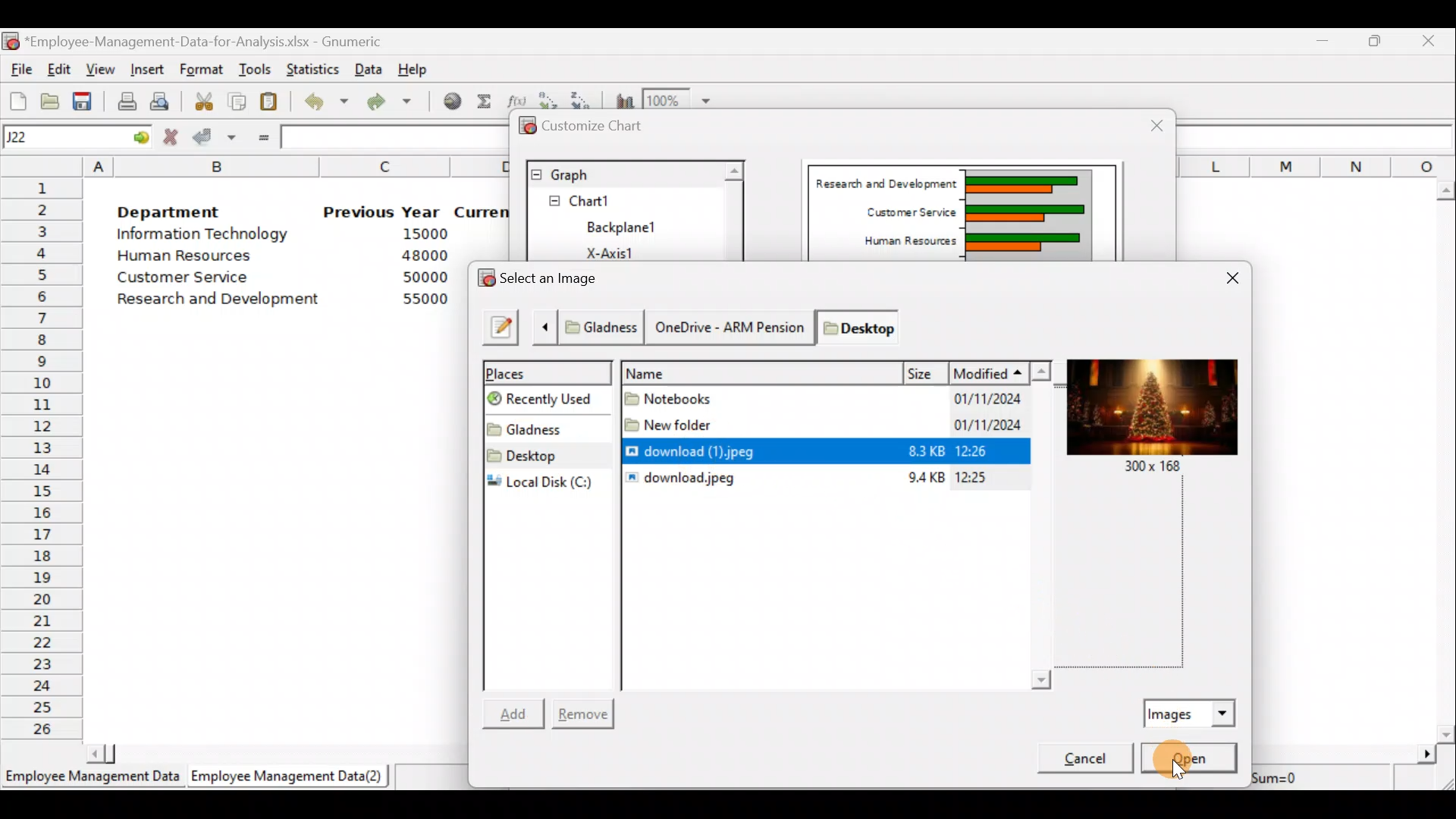  Describe the element at coordinates (904, 212) in the screenshot. I see `Customer Service` at that location.